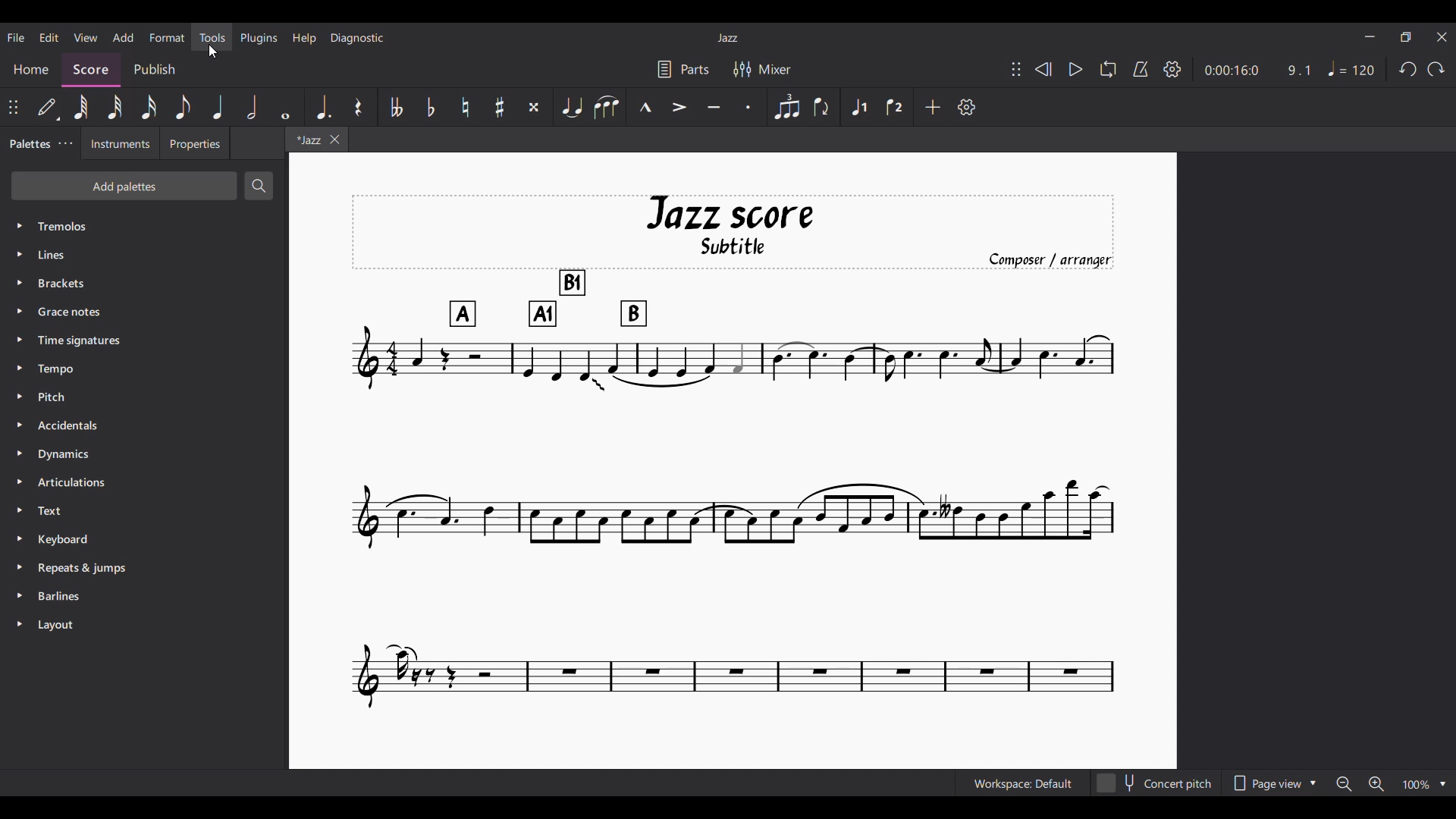 The width and height of the screenshot is (1456, 819). I want to click on File menu, so click(16, 37).